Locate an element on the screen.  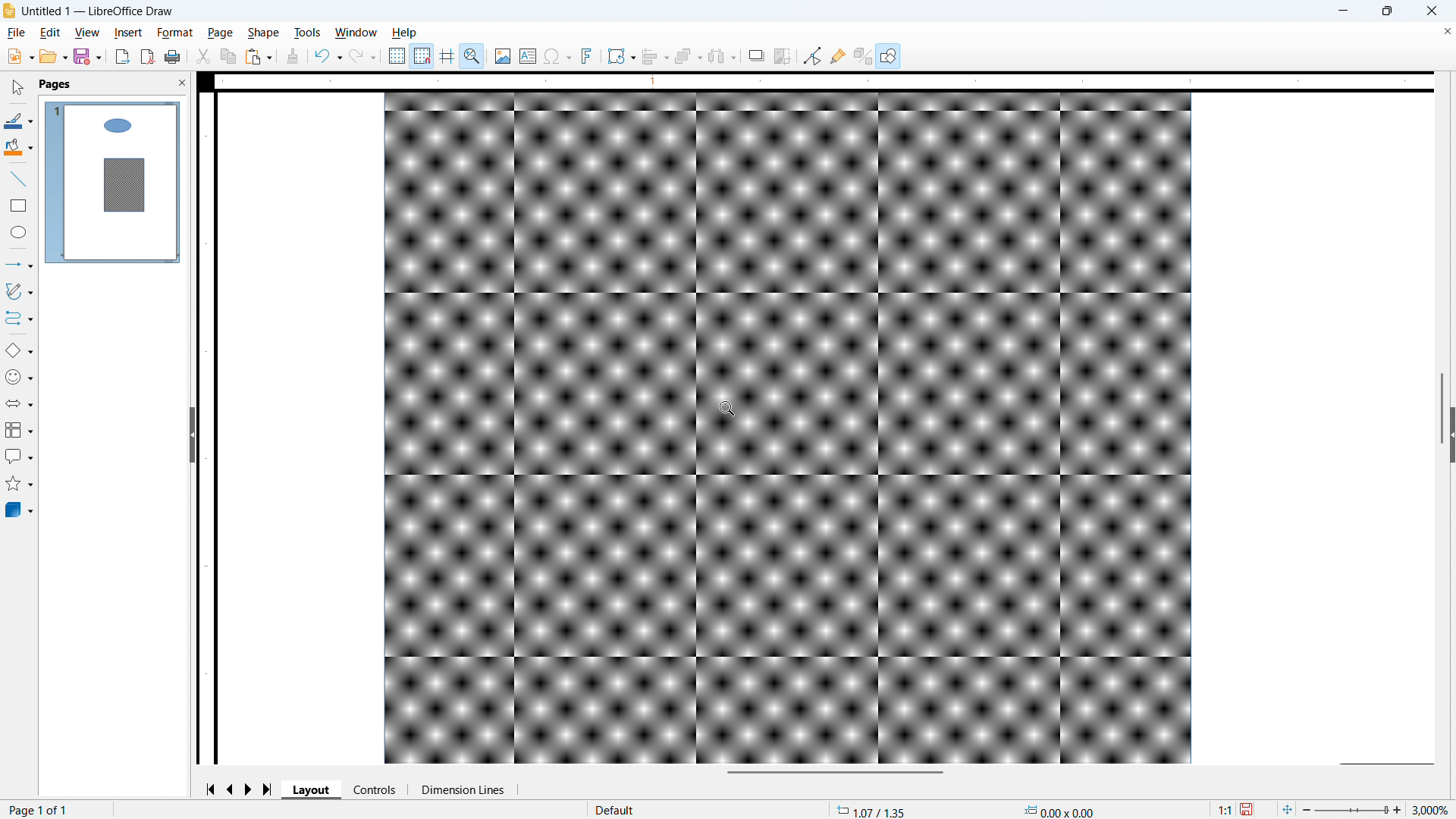
previous page  is located at coordinates (232, 789).